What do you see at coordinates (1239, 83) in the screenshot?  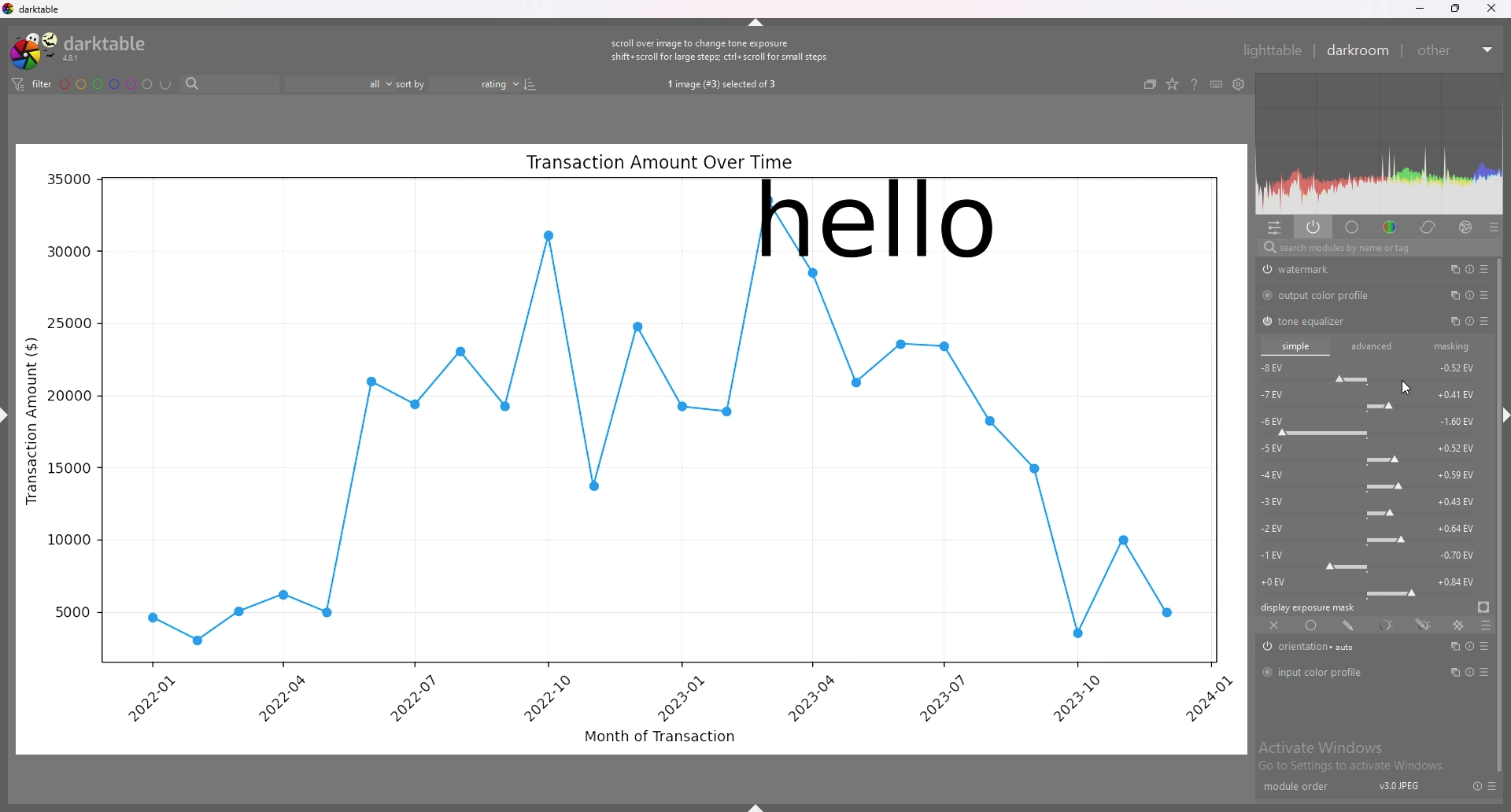 I see `show global preferences` at bounding box center [1239, 83].